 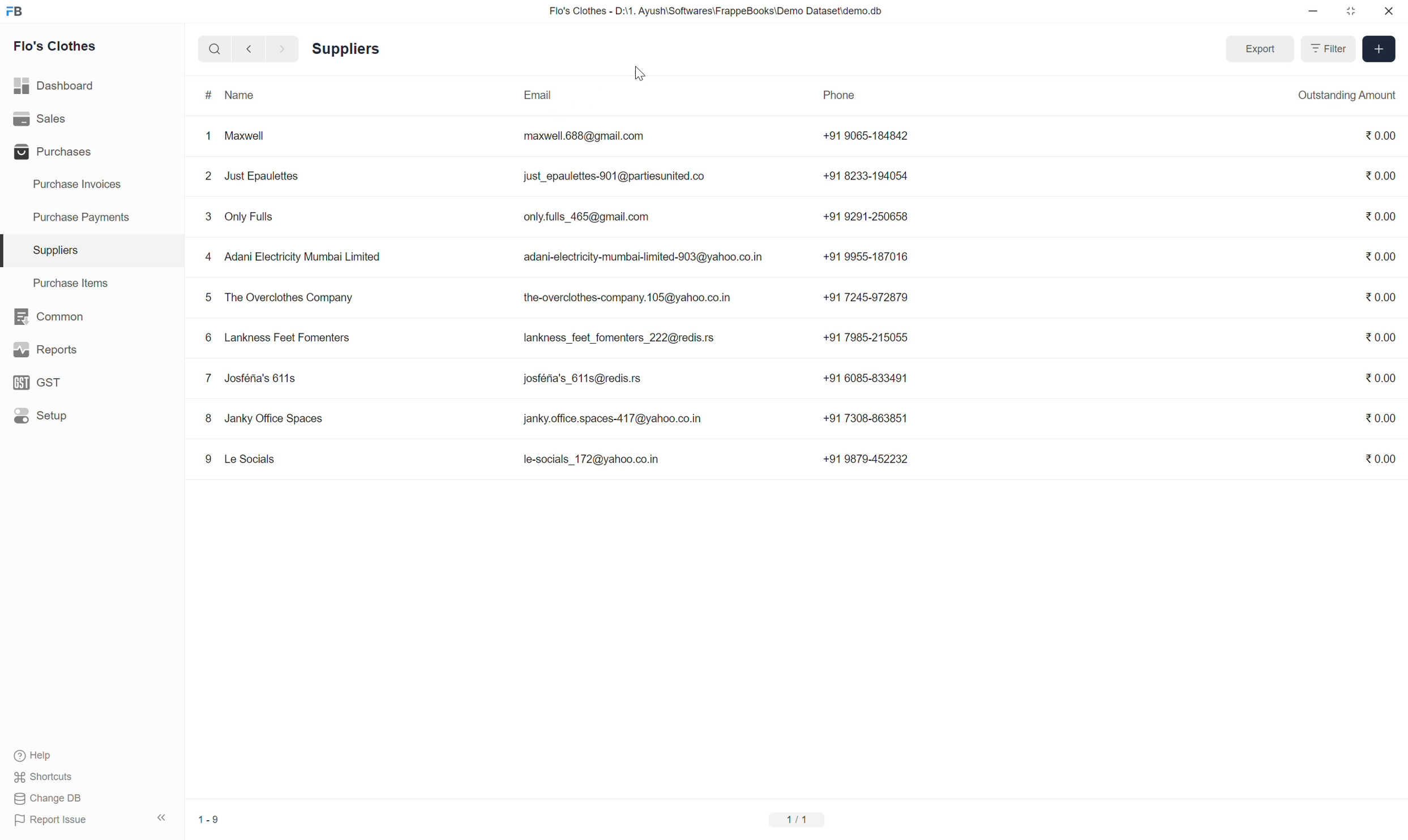 What do you see at coordinates (40, 415) in the screenshot?
I see `Setup` at bounding box center [40, 415].